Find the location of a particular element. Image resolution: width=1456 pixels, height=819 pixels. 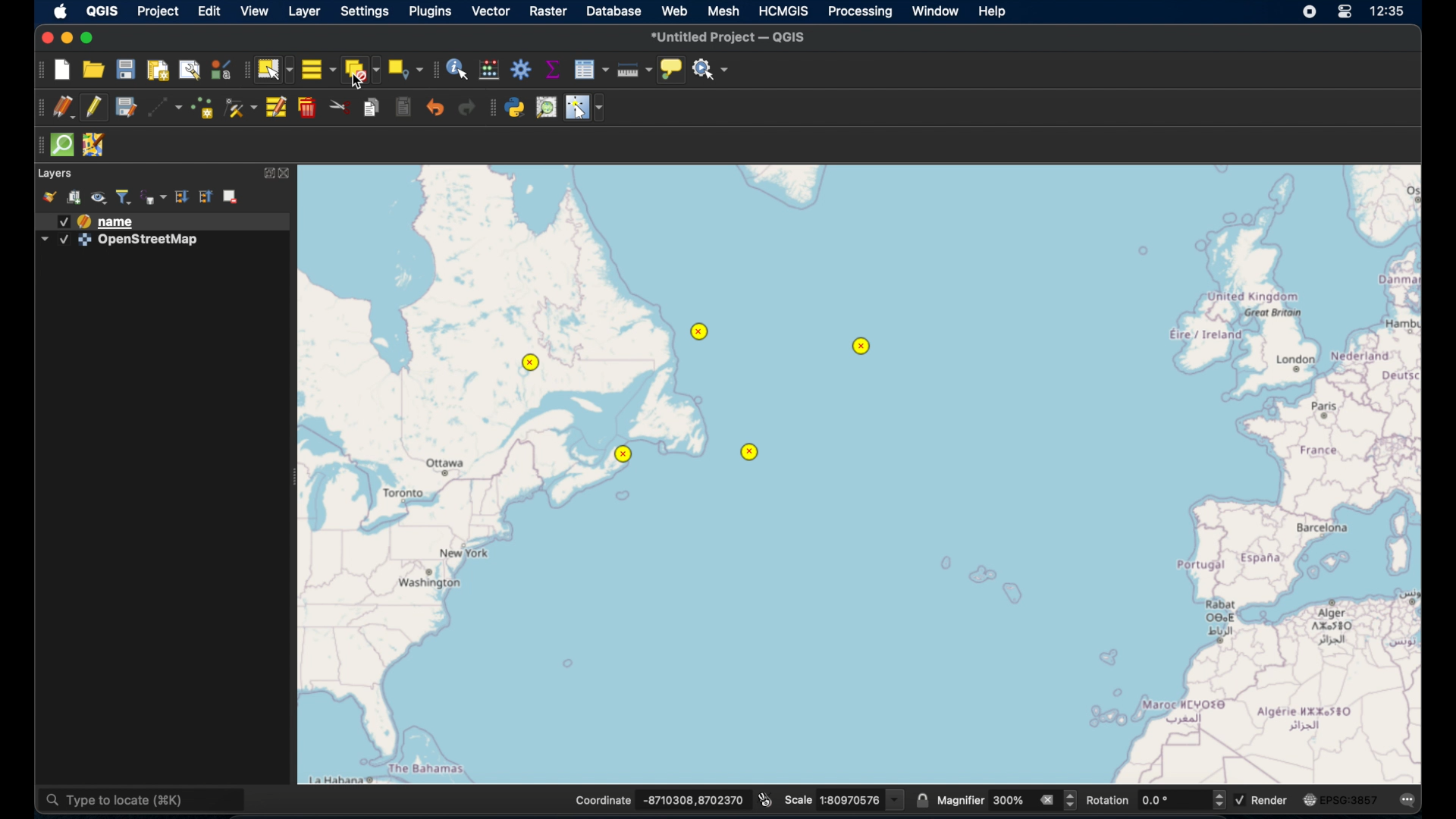

measure line is located at coordinates (632, 71).